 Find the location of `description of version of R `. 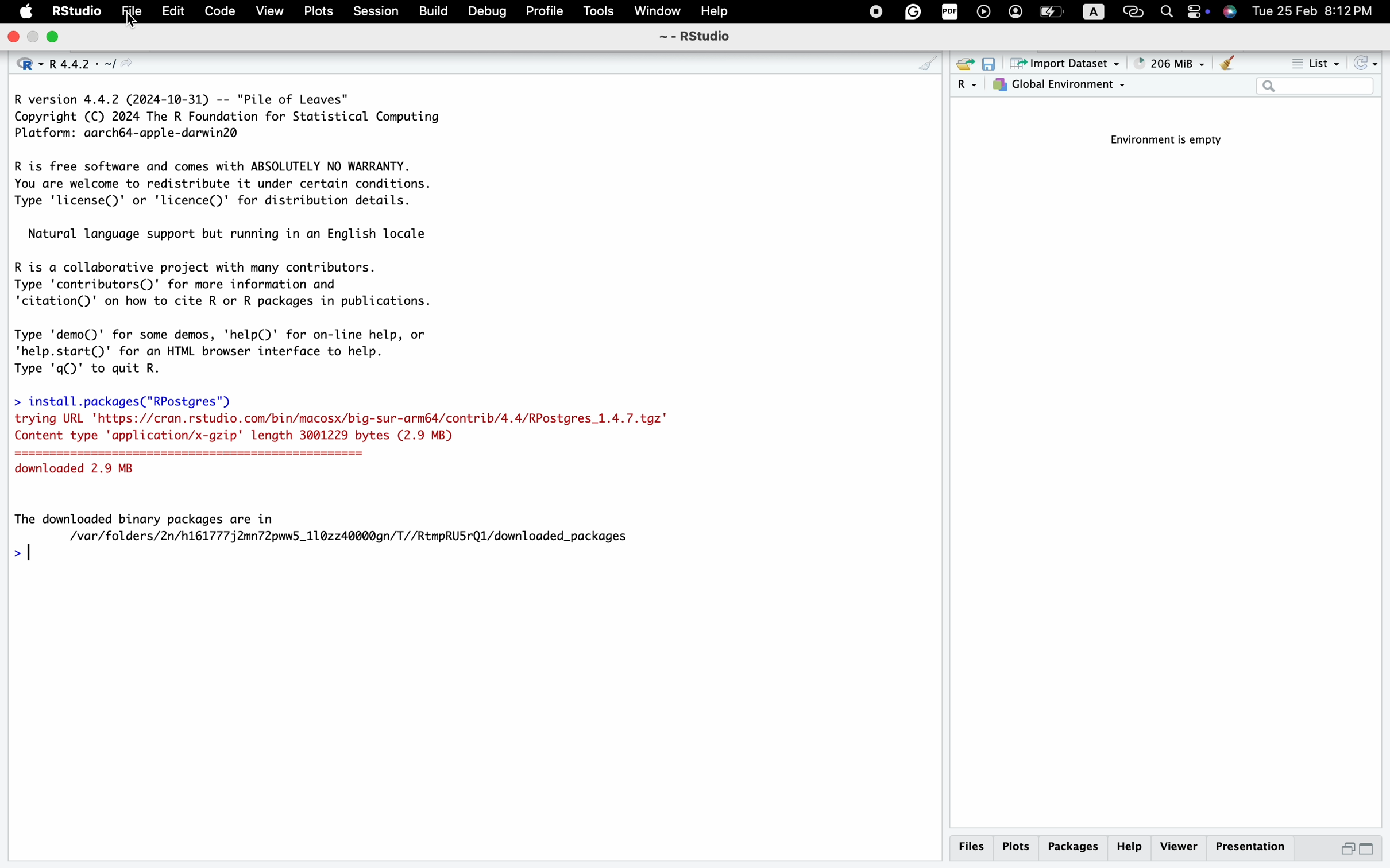

description of version of R  is located at coordinates (222, 116).